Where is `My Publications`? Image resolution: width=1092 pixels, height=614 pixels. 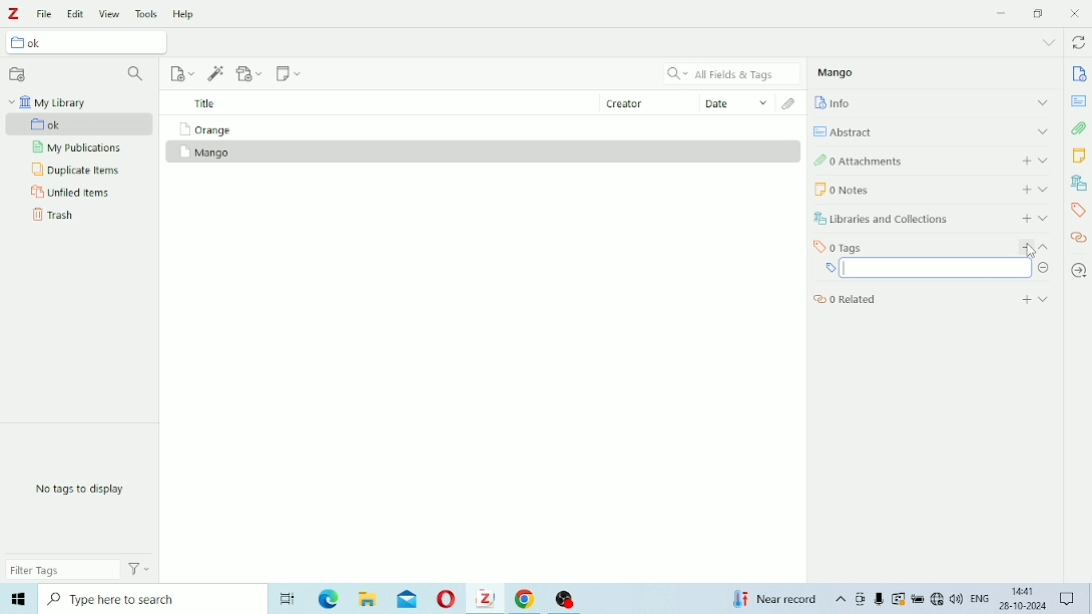 My Publications is located at coordinates (78, 148).